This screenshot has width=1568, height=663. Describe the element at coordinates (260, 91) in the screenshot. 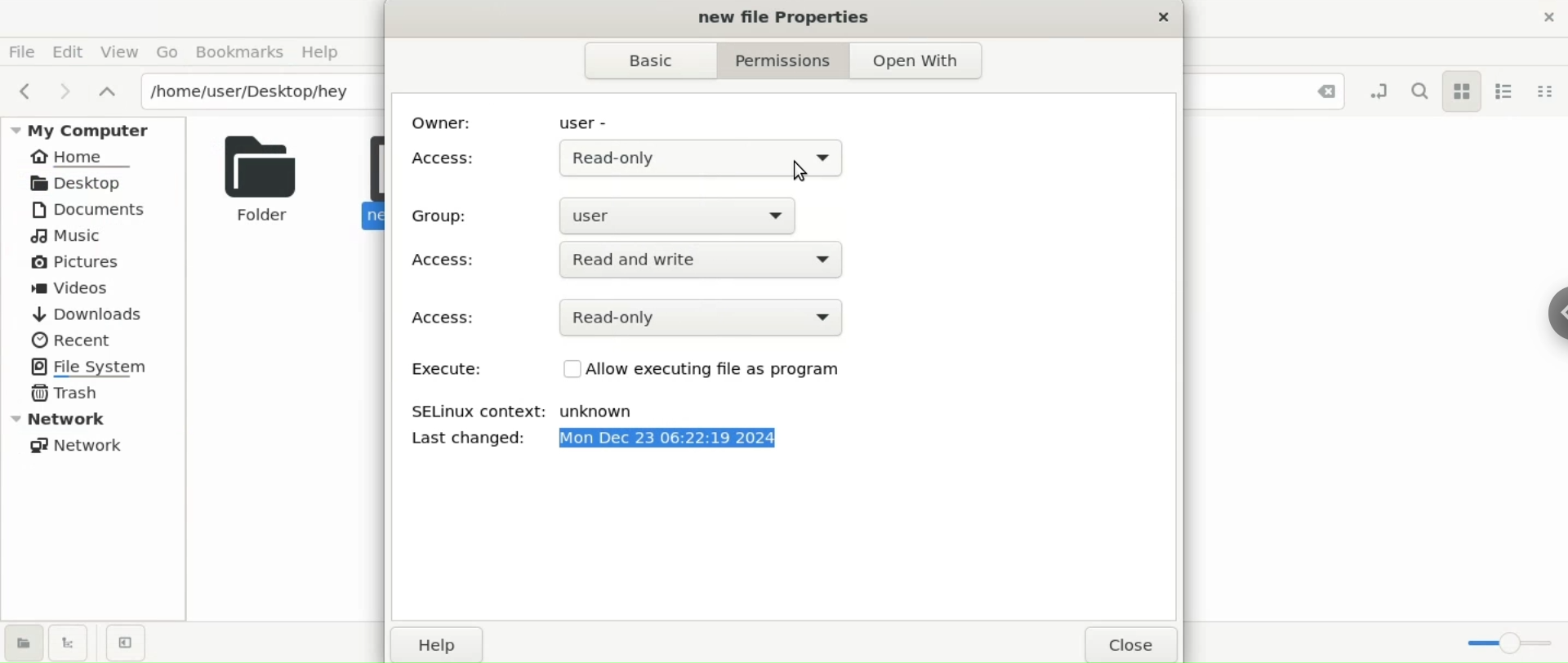

I see `/home/user/Desktop/hey` at that location.